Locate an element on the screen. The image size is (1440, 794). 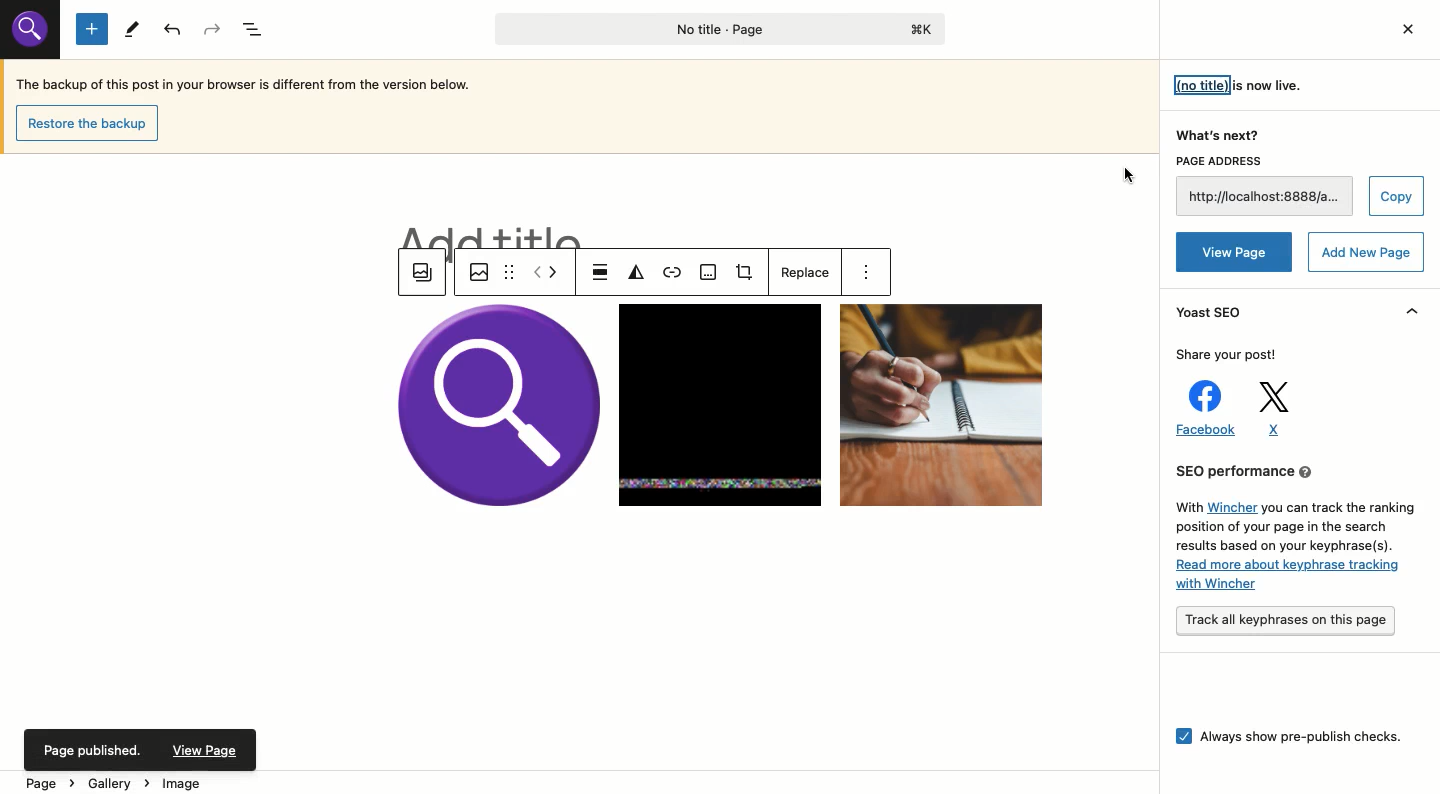
Link is located at coordinates (674, 274).